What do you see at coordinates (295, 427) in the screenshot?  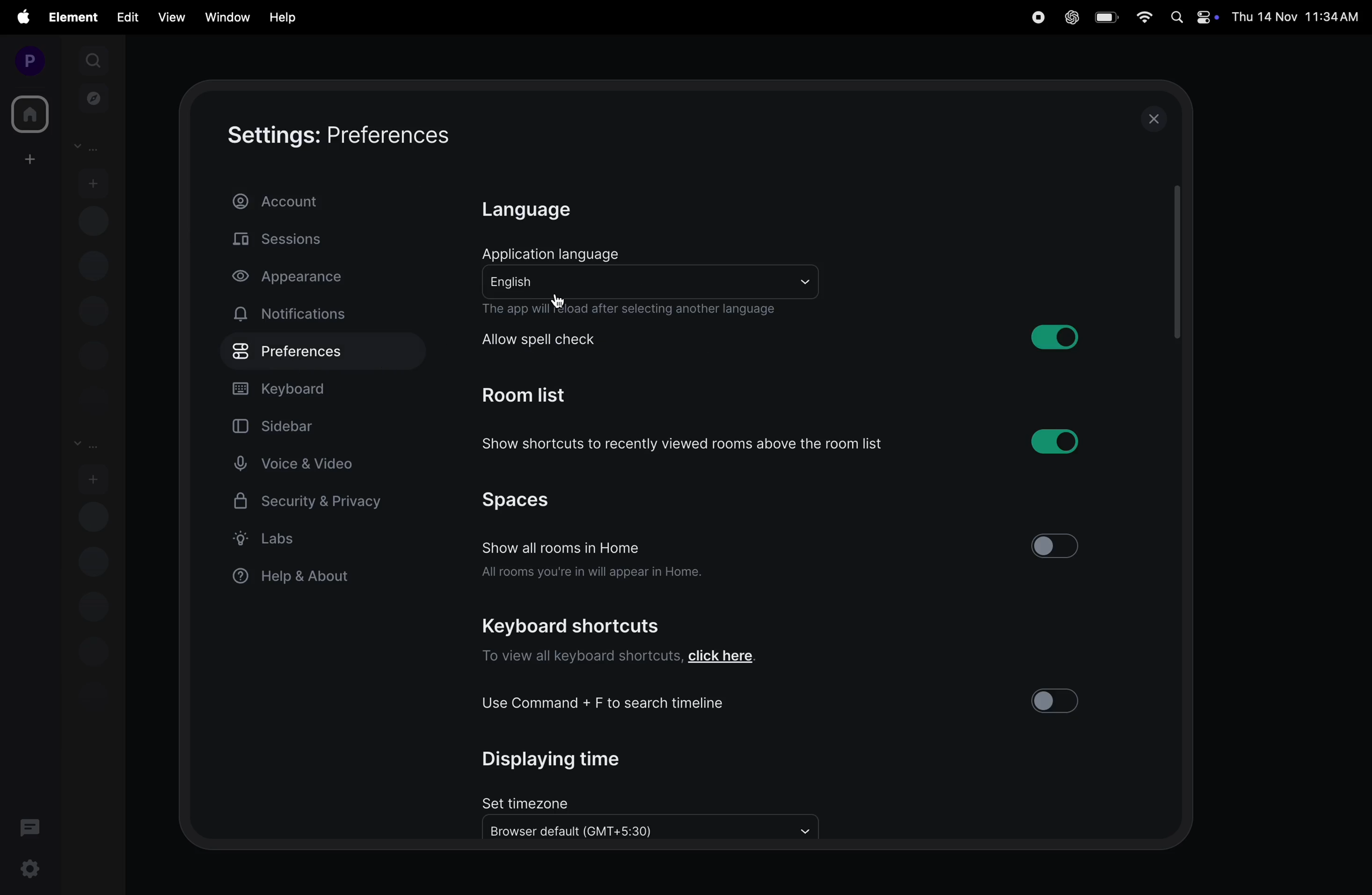 I see `sidebar` at bounding box center [295, 427].